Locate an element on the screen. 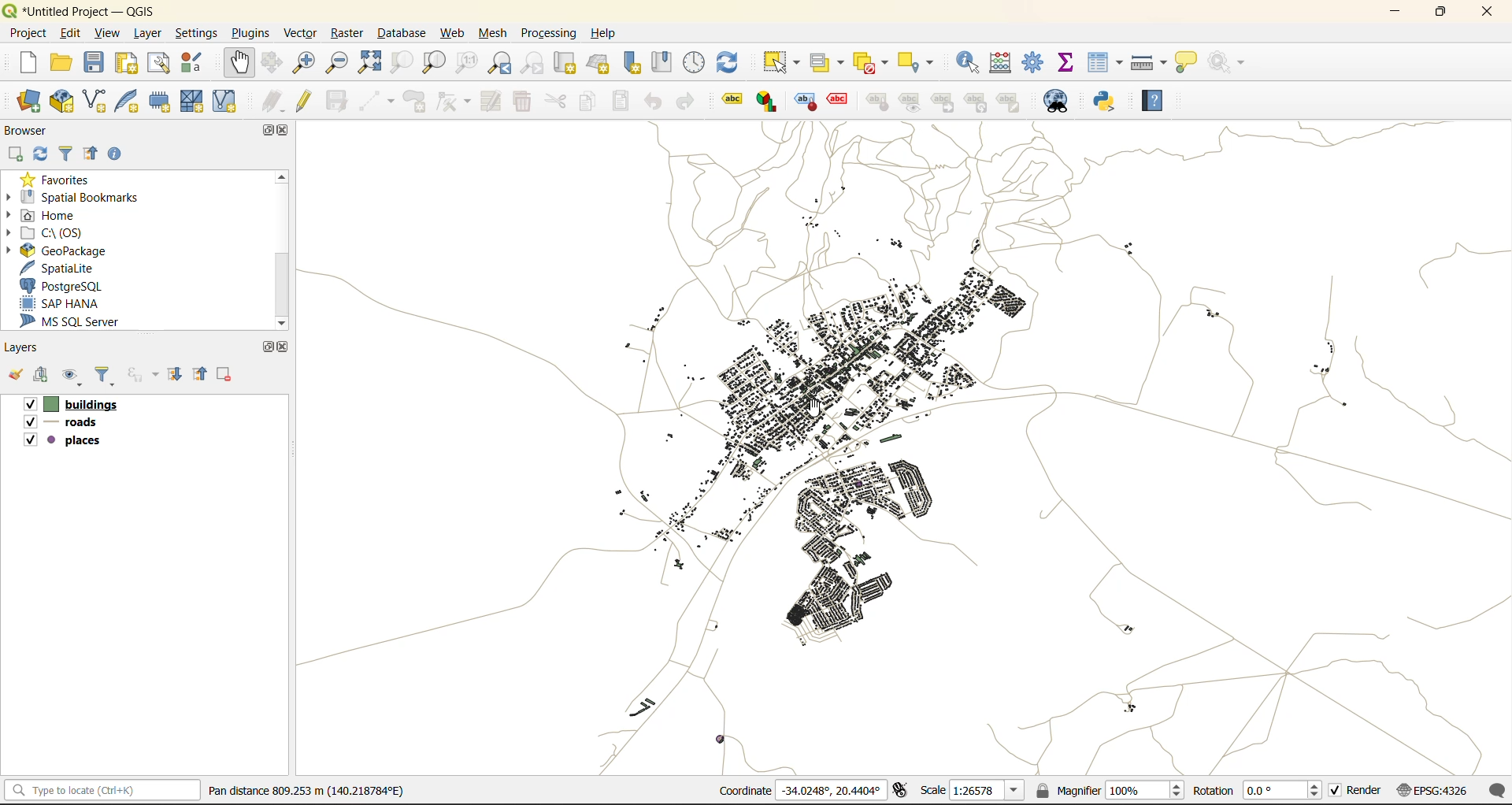 Image resolution: width=1512 pixels, height=805 pixels. identify features is located at coordinates (969, 65).